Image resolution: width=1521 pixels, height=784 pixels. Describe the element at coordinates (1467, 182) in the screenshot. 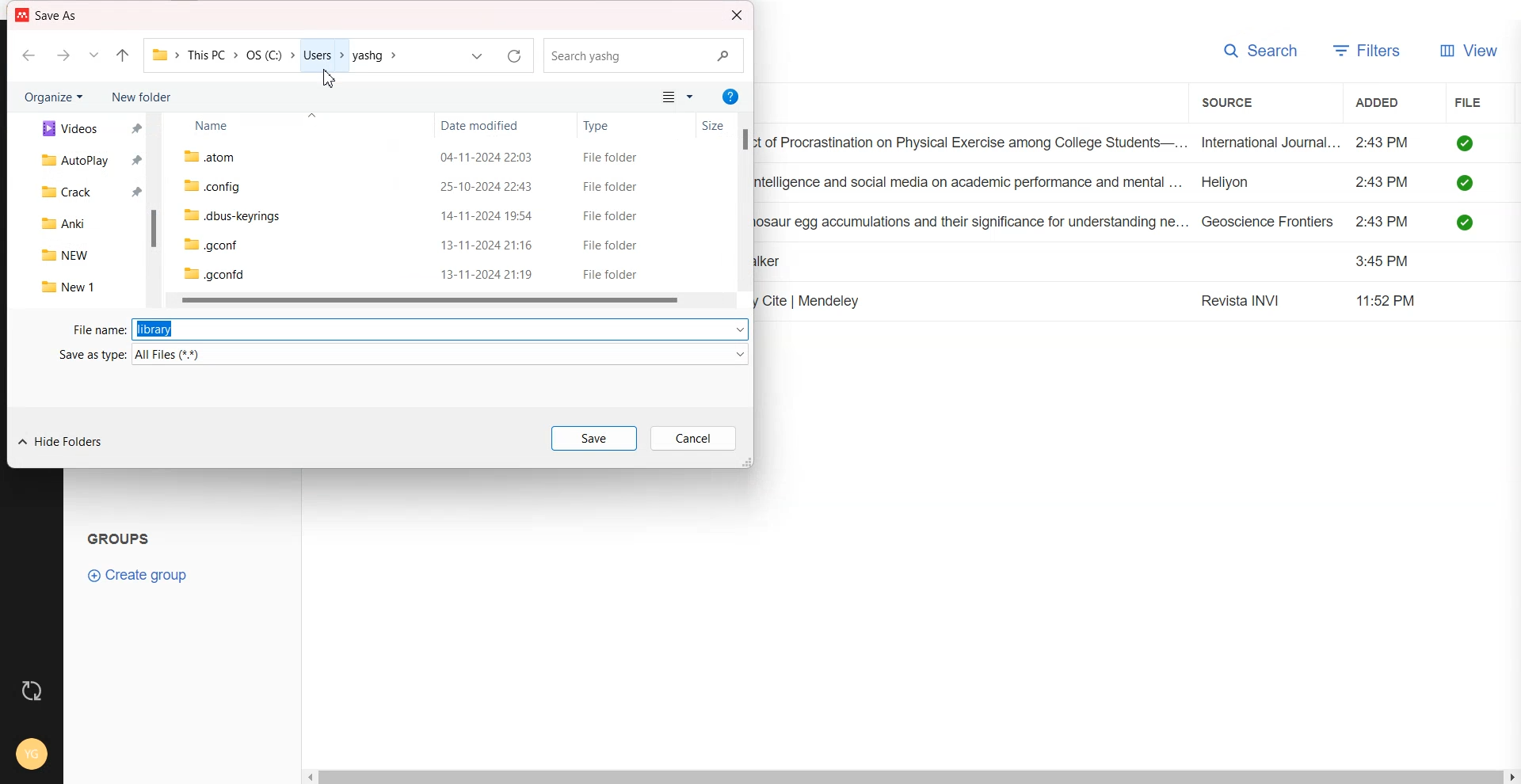

I see `saved` at that location.